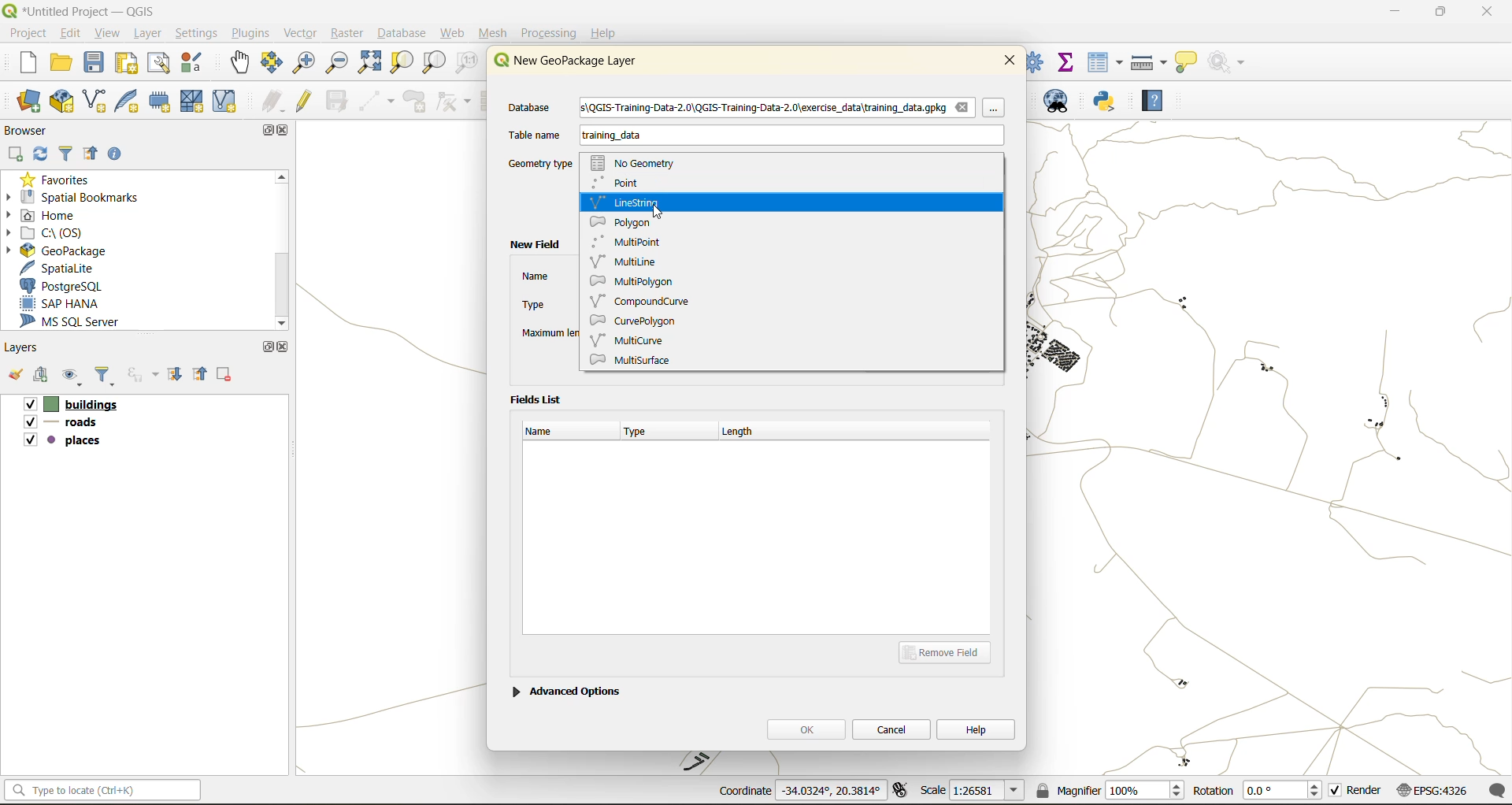 The image size is (1512, 805). I want to click on digitize, so click(378, 102).